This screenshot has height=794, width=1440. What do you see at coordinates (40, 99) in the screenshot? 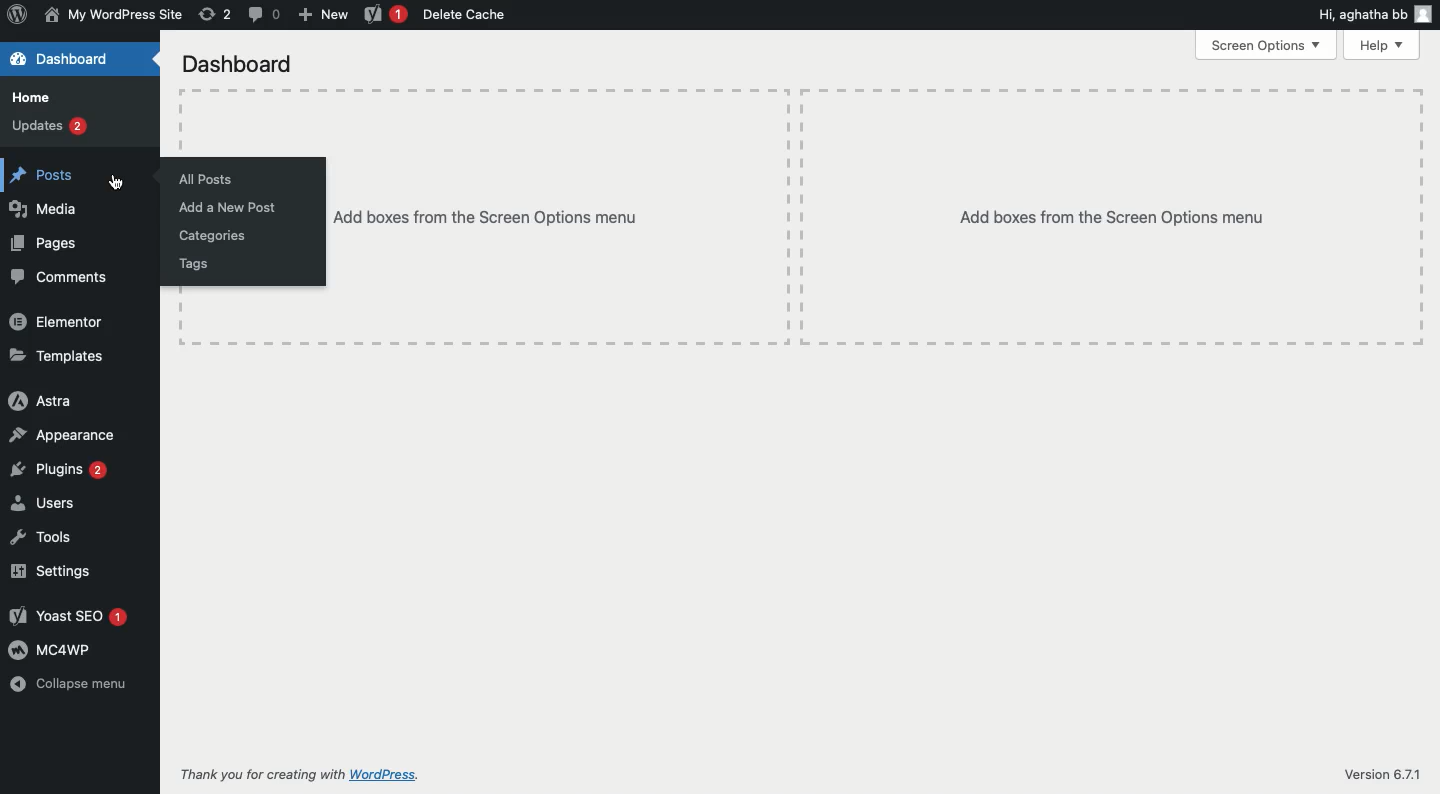
I see `Home` at bounding box center [40, 99].